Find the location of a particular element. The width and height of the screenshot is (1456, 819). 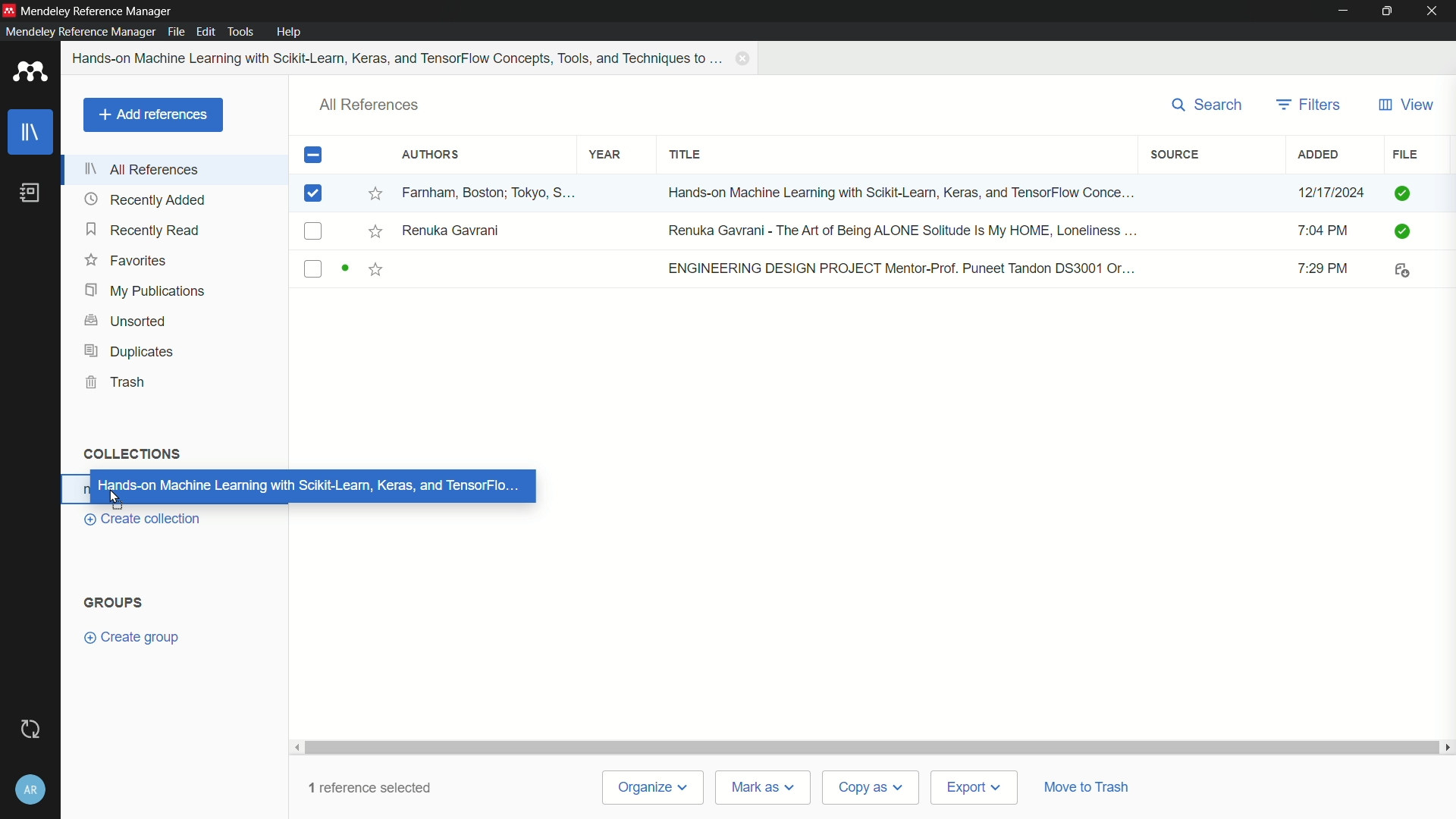

close is located at coordinates (1436, 11).